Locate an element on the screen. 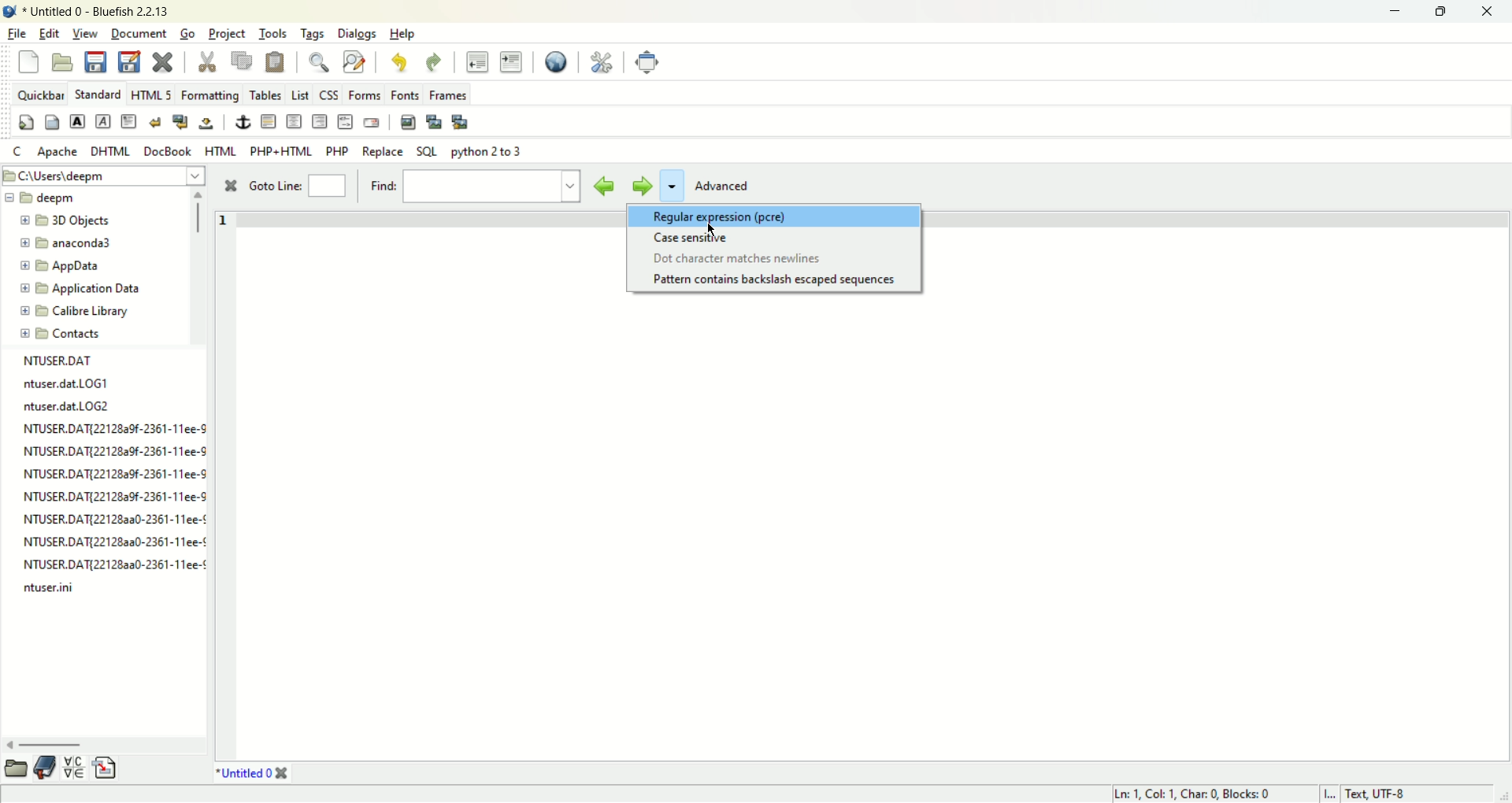 The width and height of the screenshot is (1512, 803). application data is located at coordinates (80, 289).